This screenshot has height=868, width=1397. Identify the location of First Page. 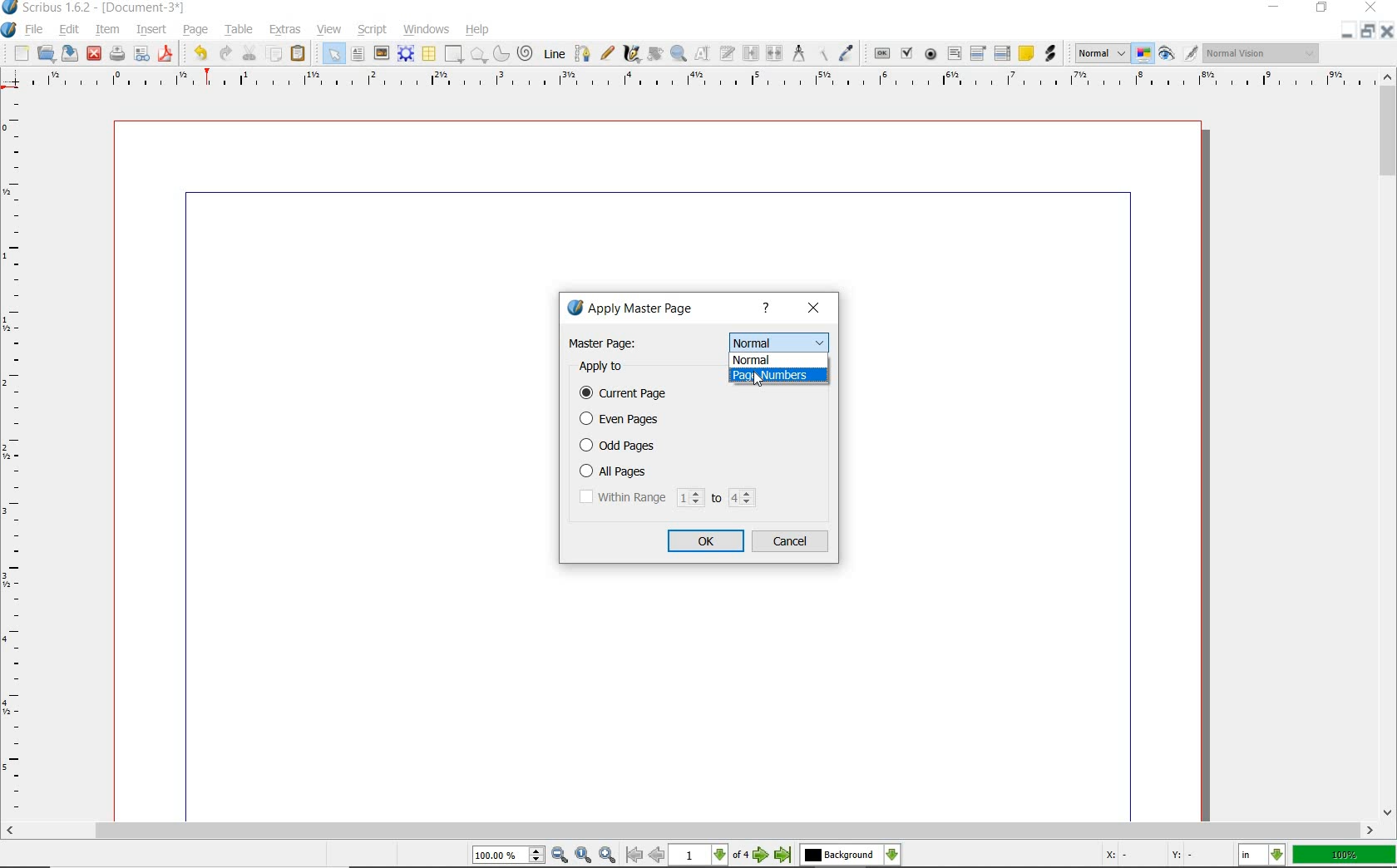
(632, 856).